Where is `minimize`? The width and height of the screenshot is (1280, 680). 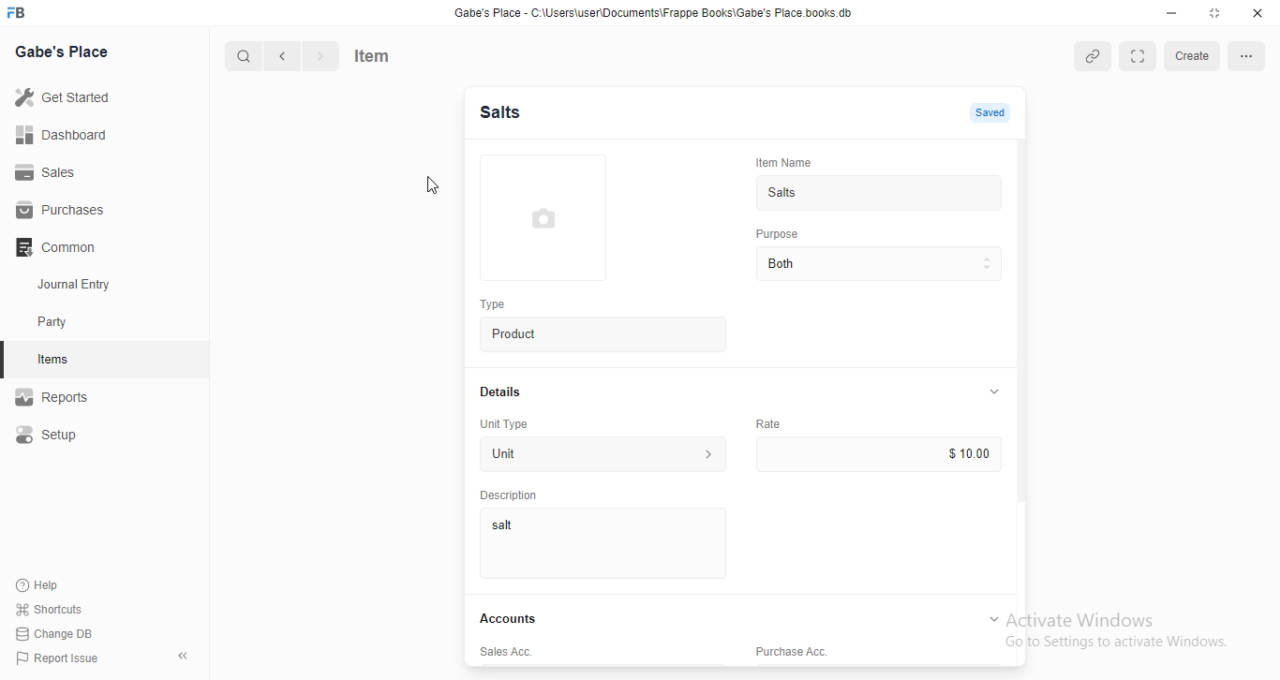 minimize is located at coordinates (1171, 14).